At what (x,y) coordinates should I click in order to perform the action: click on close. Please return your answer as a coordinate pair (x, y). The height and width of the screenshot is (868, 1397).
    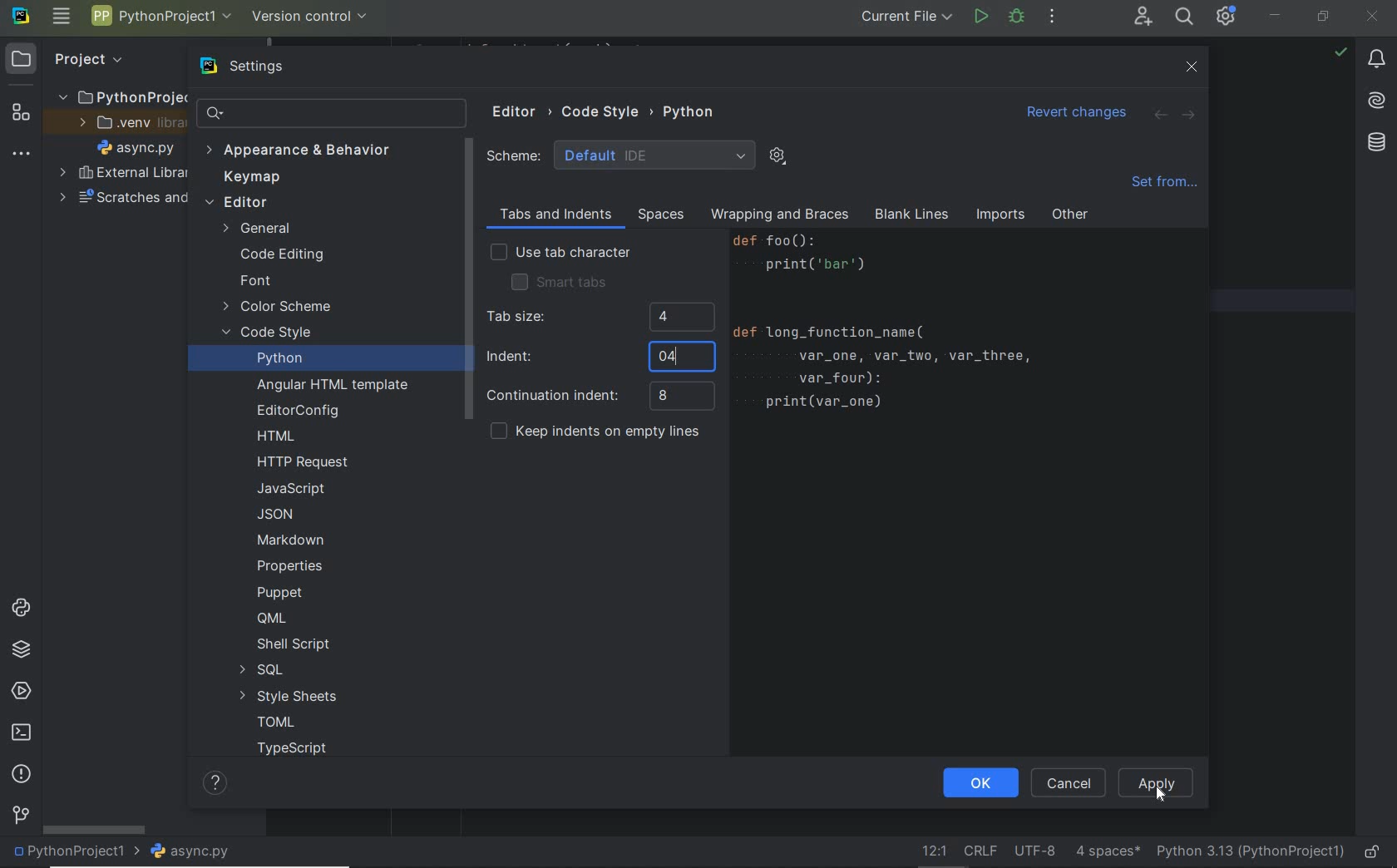
    Looking at the image, I should click on (1375, 18).